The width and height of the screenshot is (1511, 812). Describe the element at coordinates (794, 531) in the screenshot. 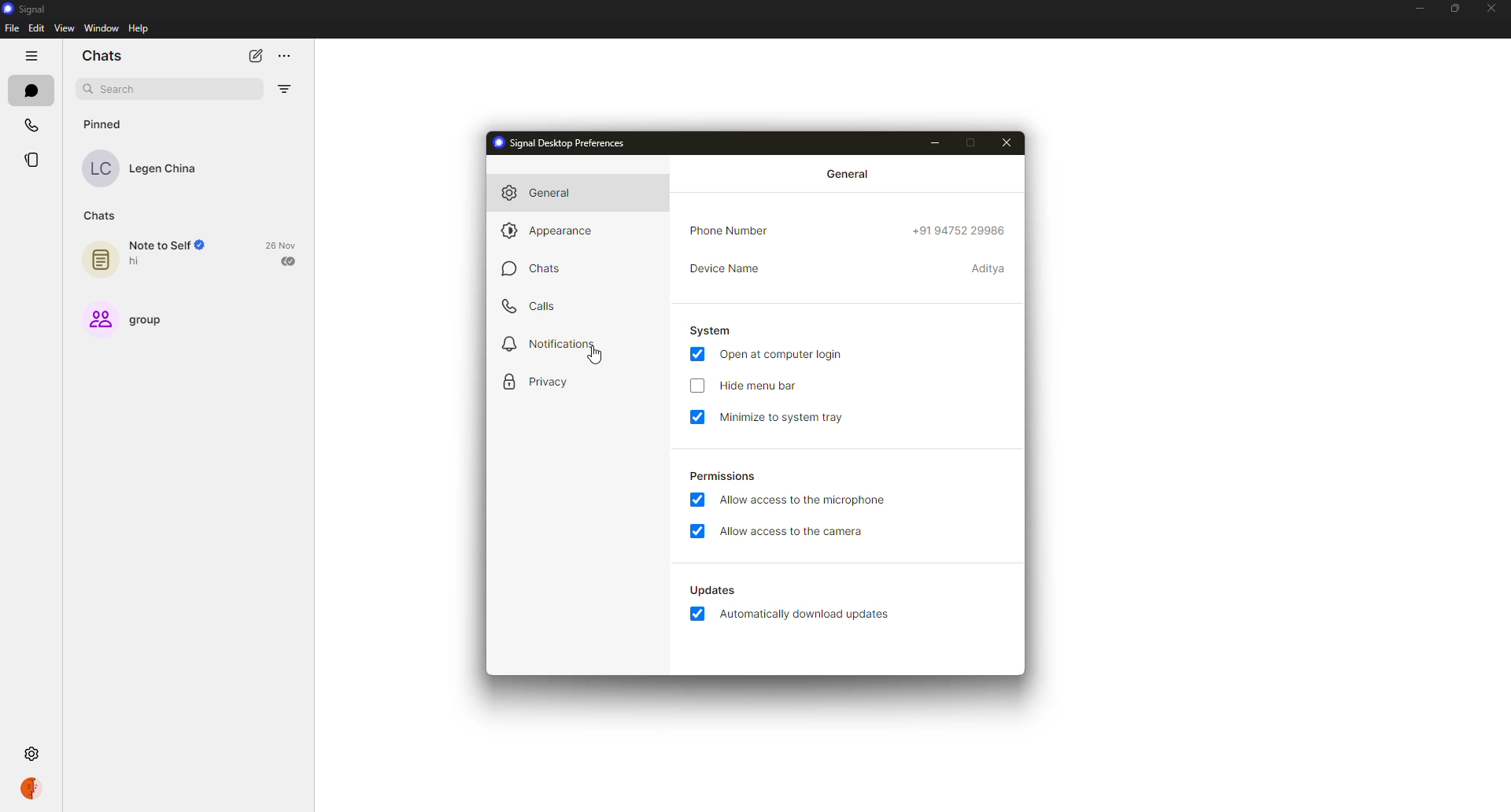

I see `allow access to camera` at that location.